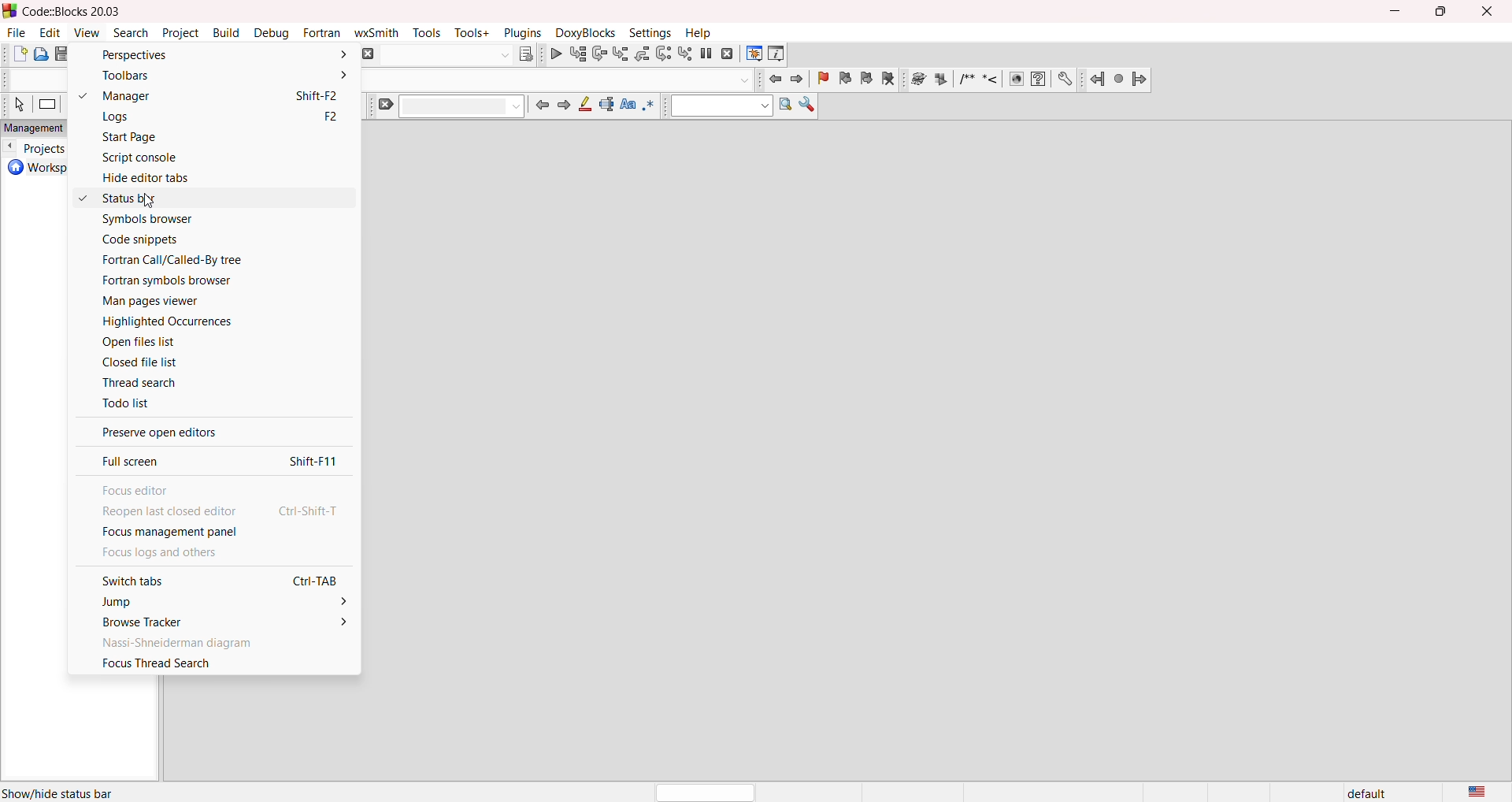  I want to click on step into instruction, so click(685, 56).